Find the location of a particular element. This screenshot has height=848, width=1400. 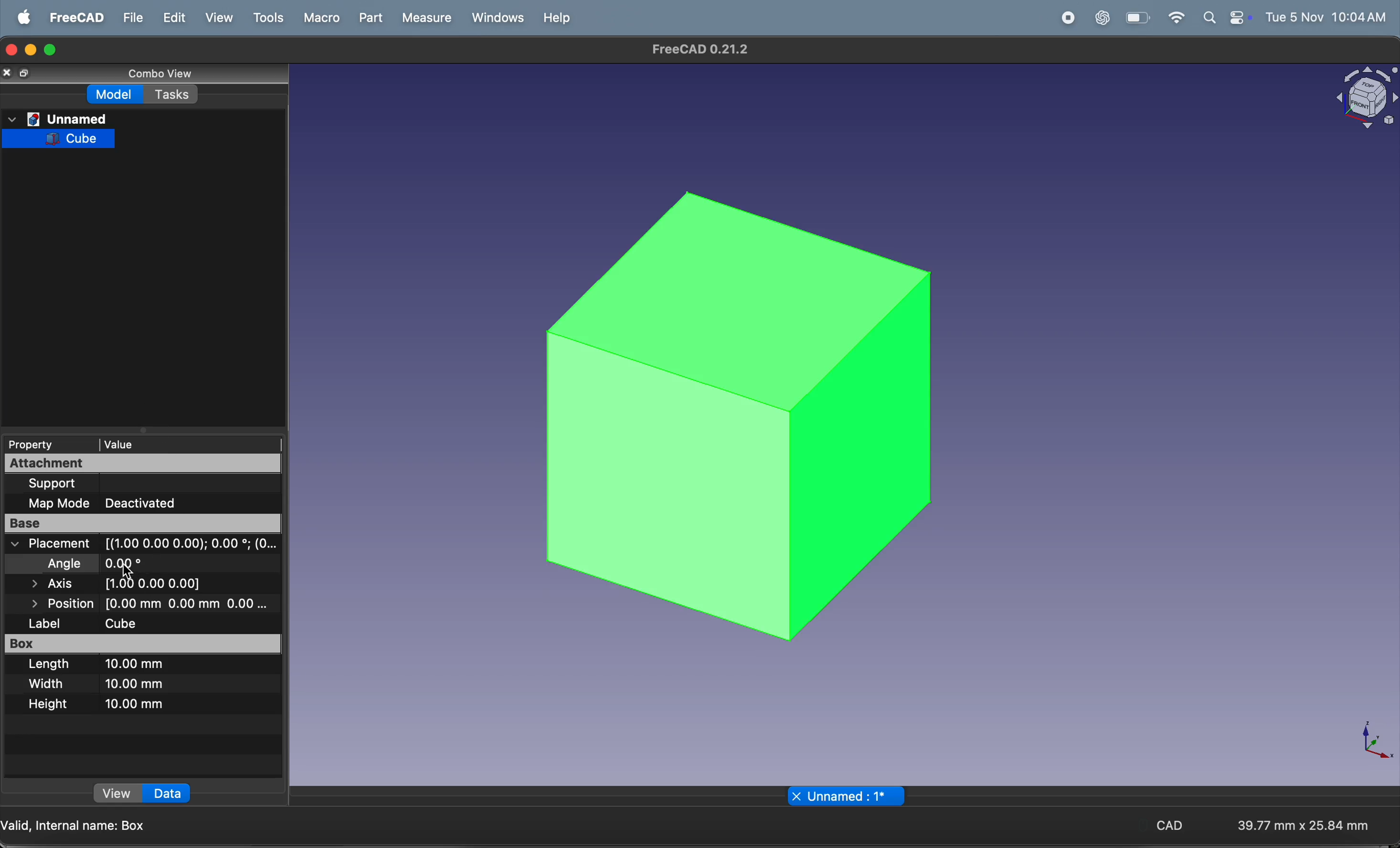

base is located at coordinates (139, 523).